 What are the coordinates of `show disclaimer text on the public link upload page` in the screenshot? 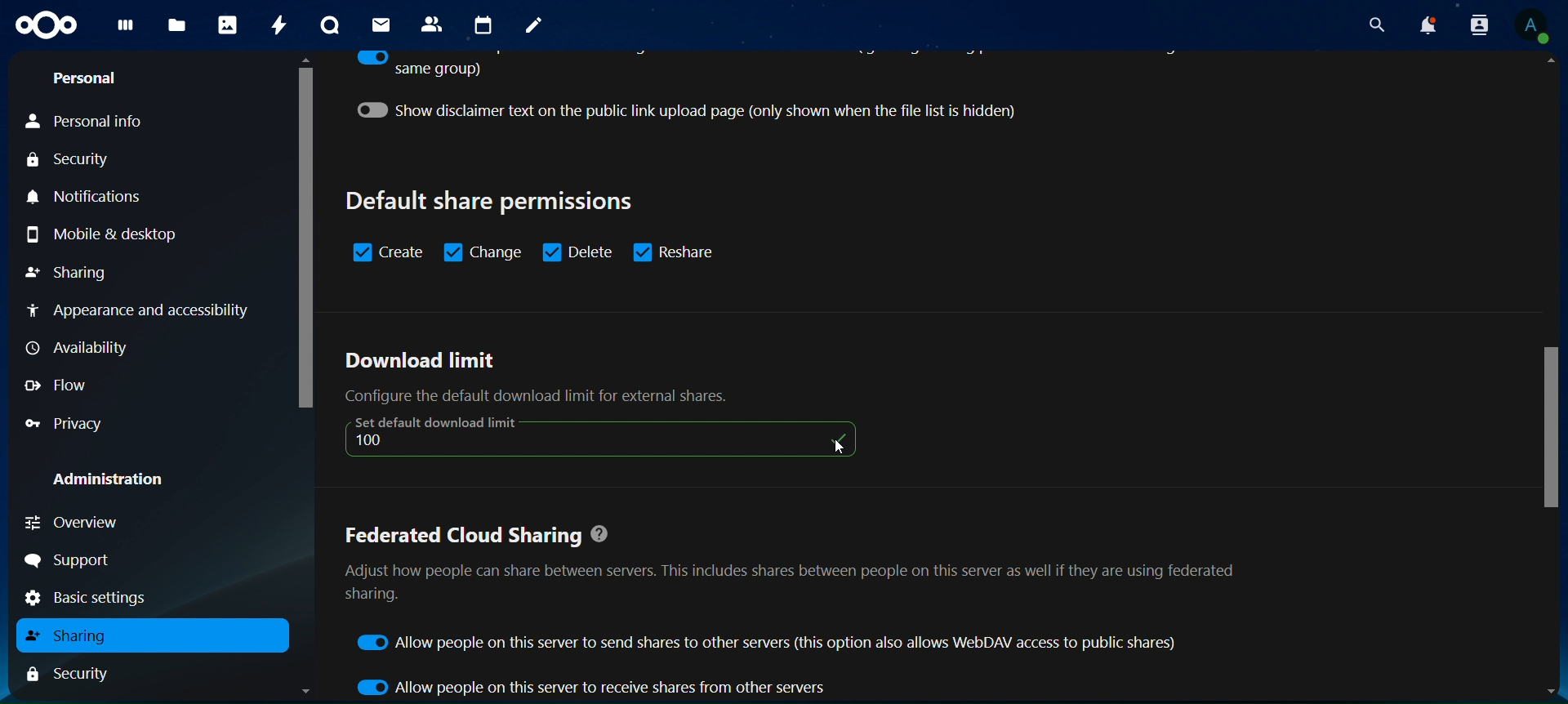 It's located at (706, 110).